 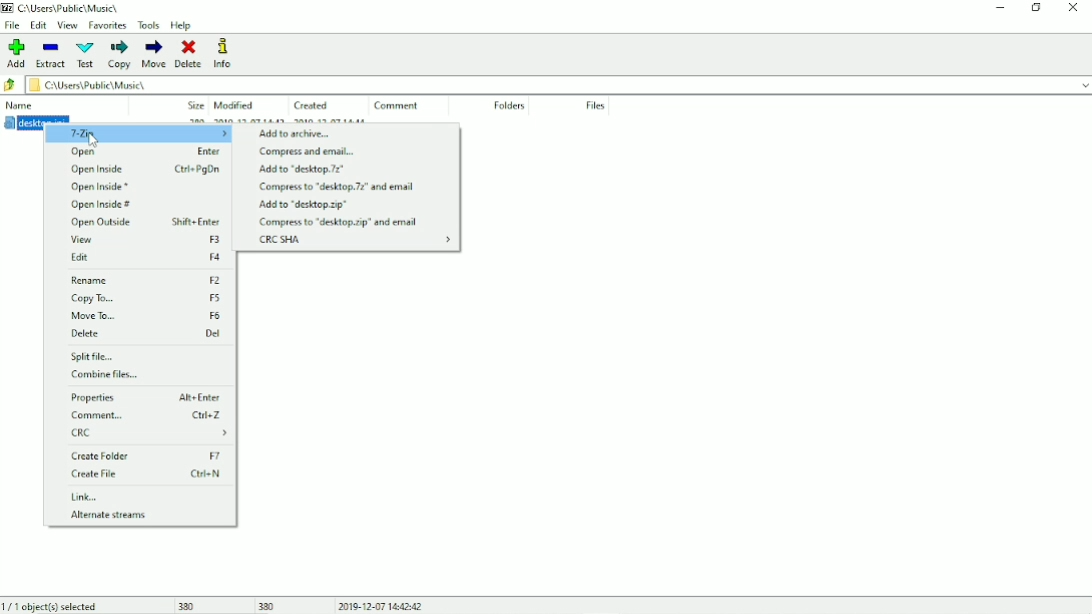 I want to click on Favorites, so click(x=107, y=26).